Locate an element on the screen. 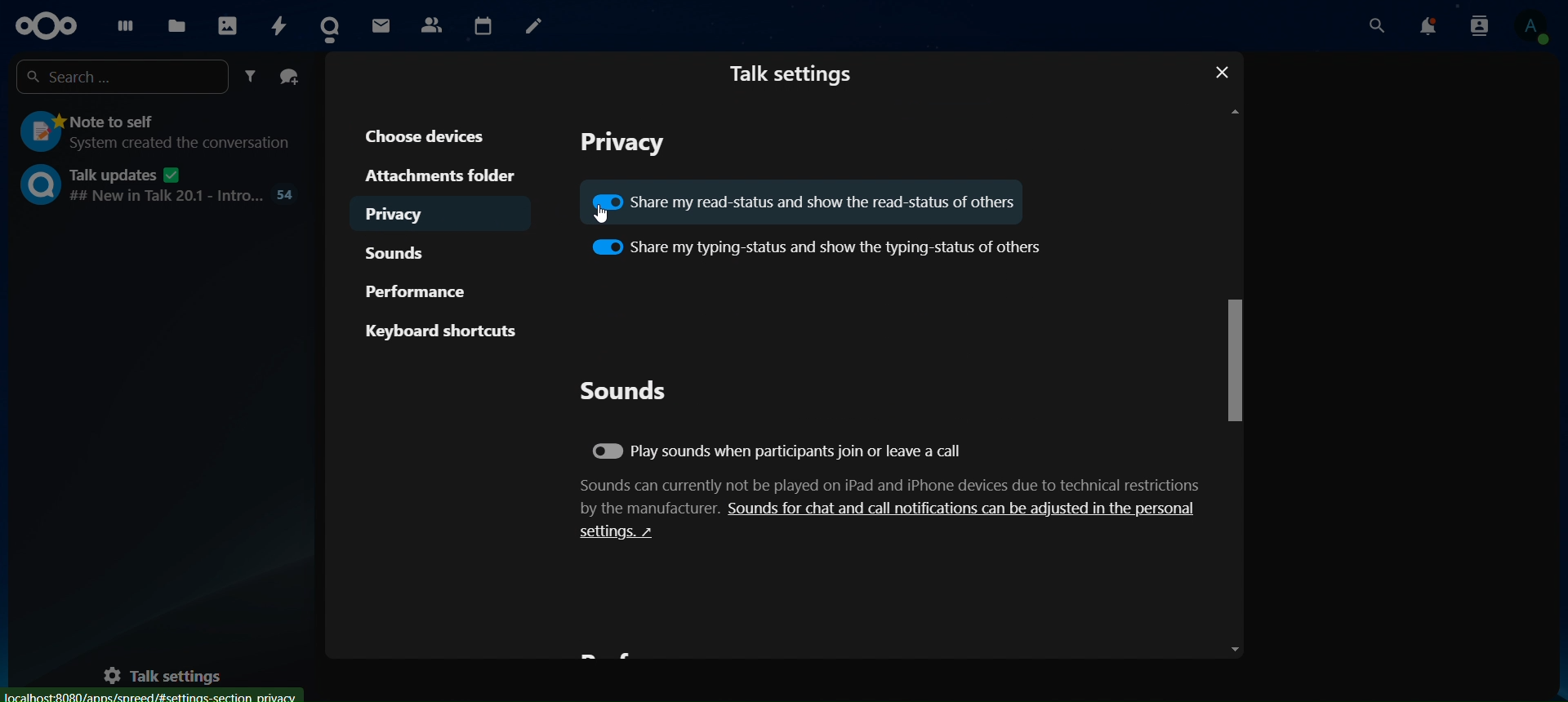 This screenshot has height=702, width=1568. choose devices is located at coordinates (430, 135).